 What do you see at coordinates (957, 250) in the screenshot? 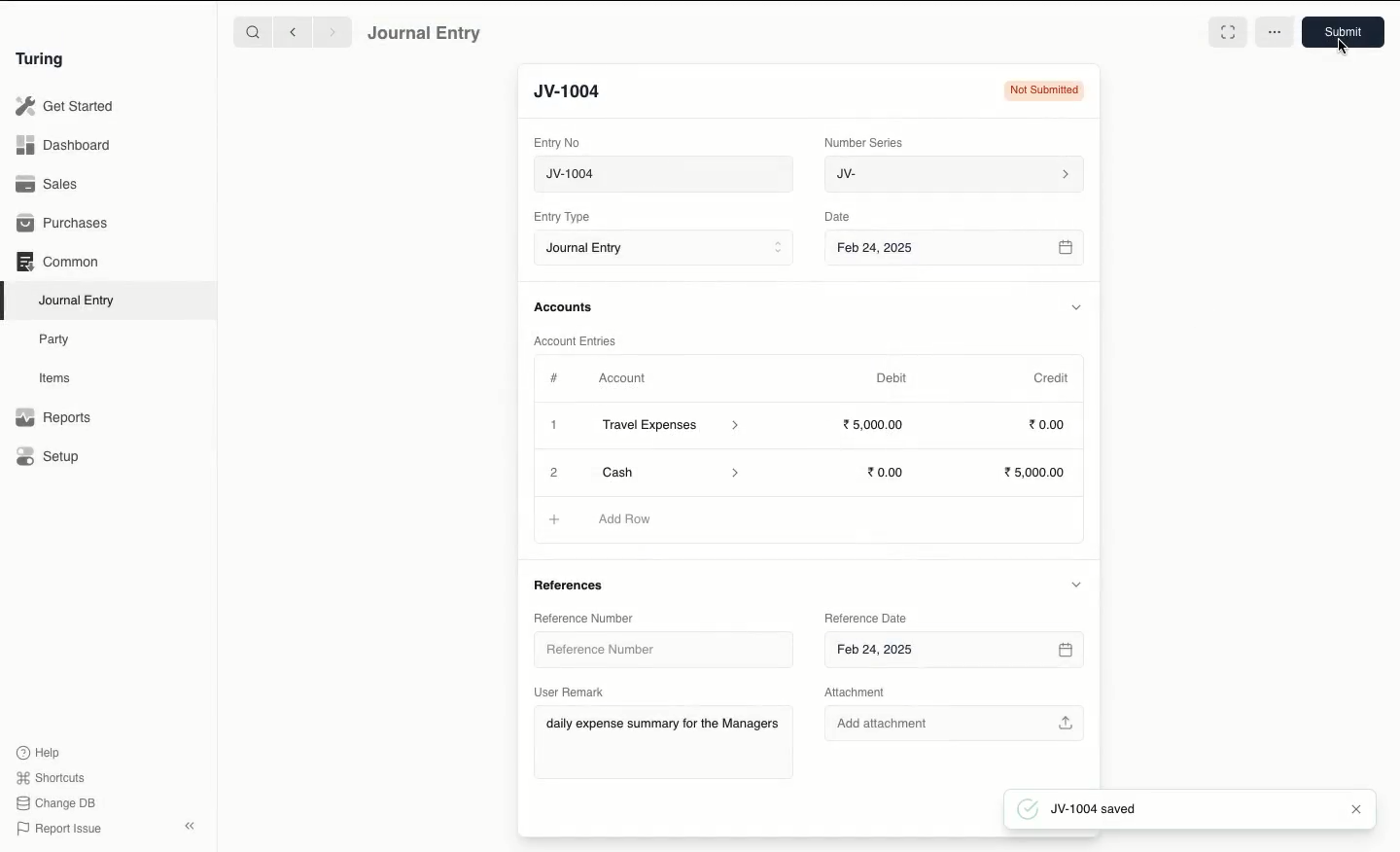
I see `Feb 24, 2025` at bounding box center [957, 250].